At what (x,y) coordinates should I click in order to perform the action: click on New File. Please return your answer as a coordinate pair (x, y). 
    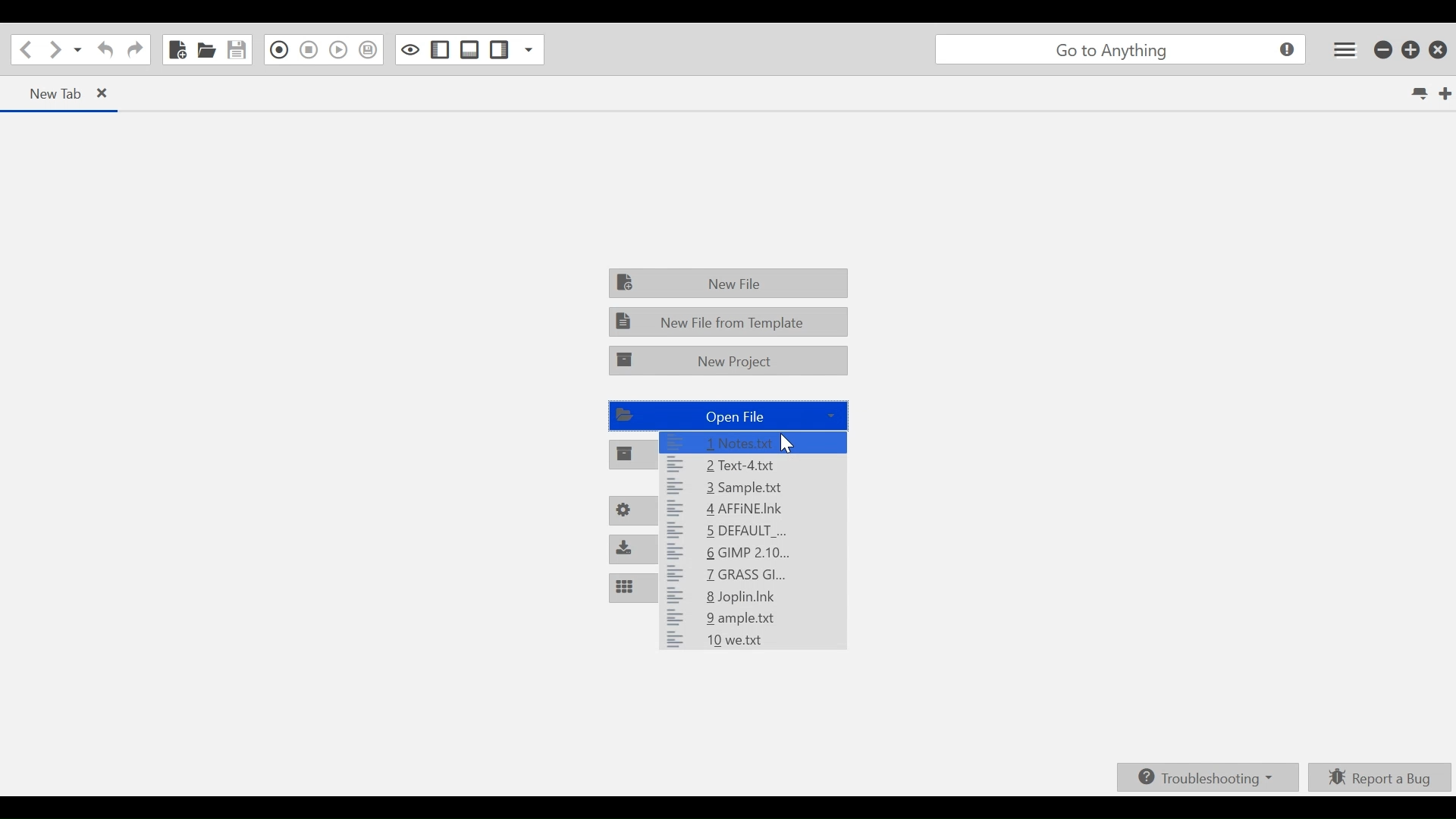
    Looking at the image, I should click on (175, 49).